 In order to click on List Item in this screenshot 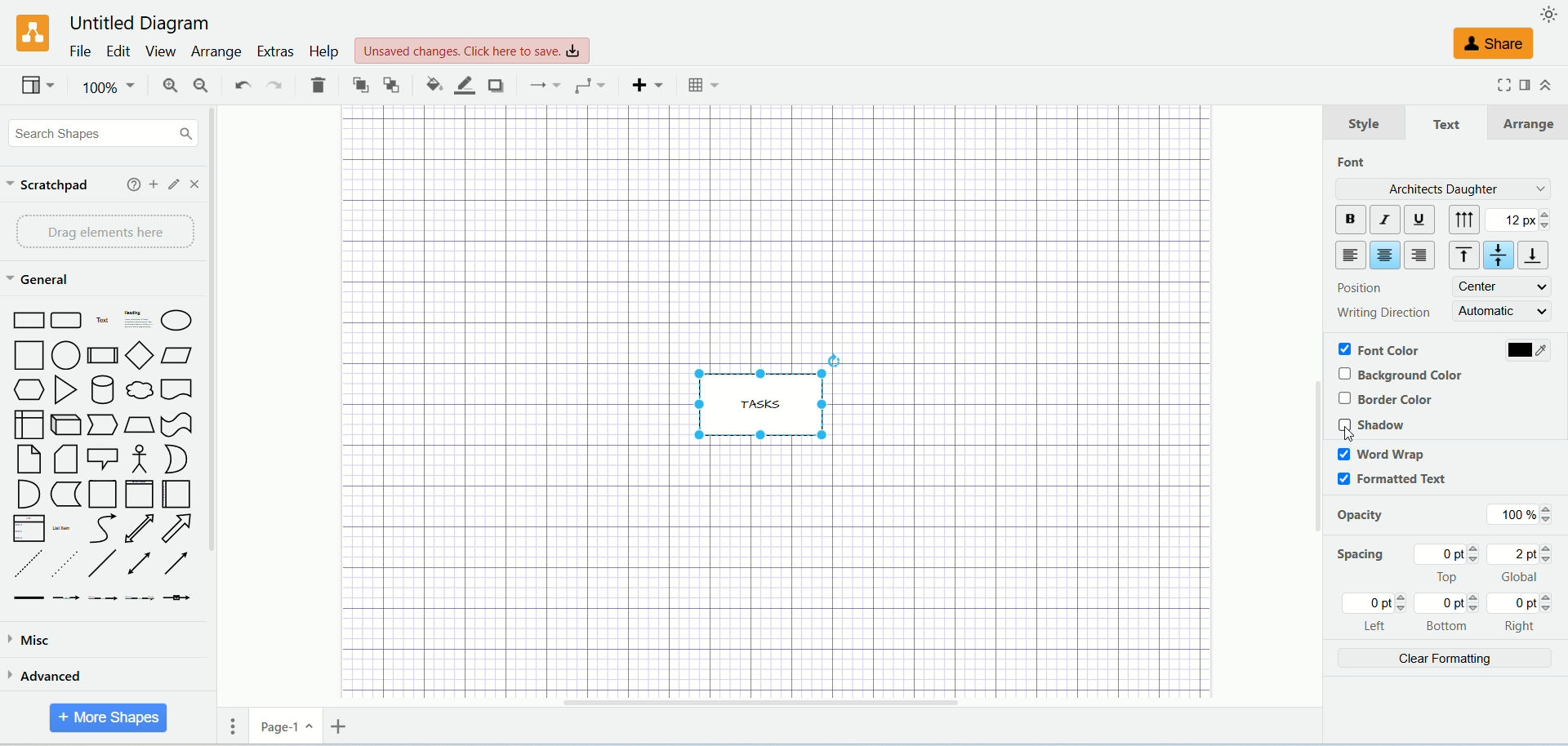, I will do `click(60, 526)`.